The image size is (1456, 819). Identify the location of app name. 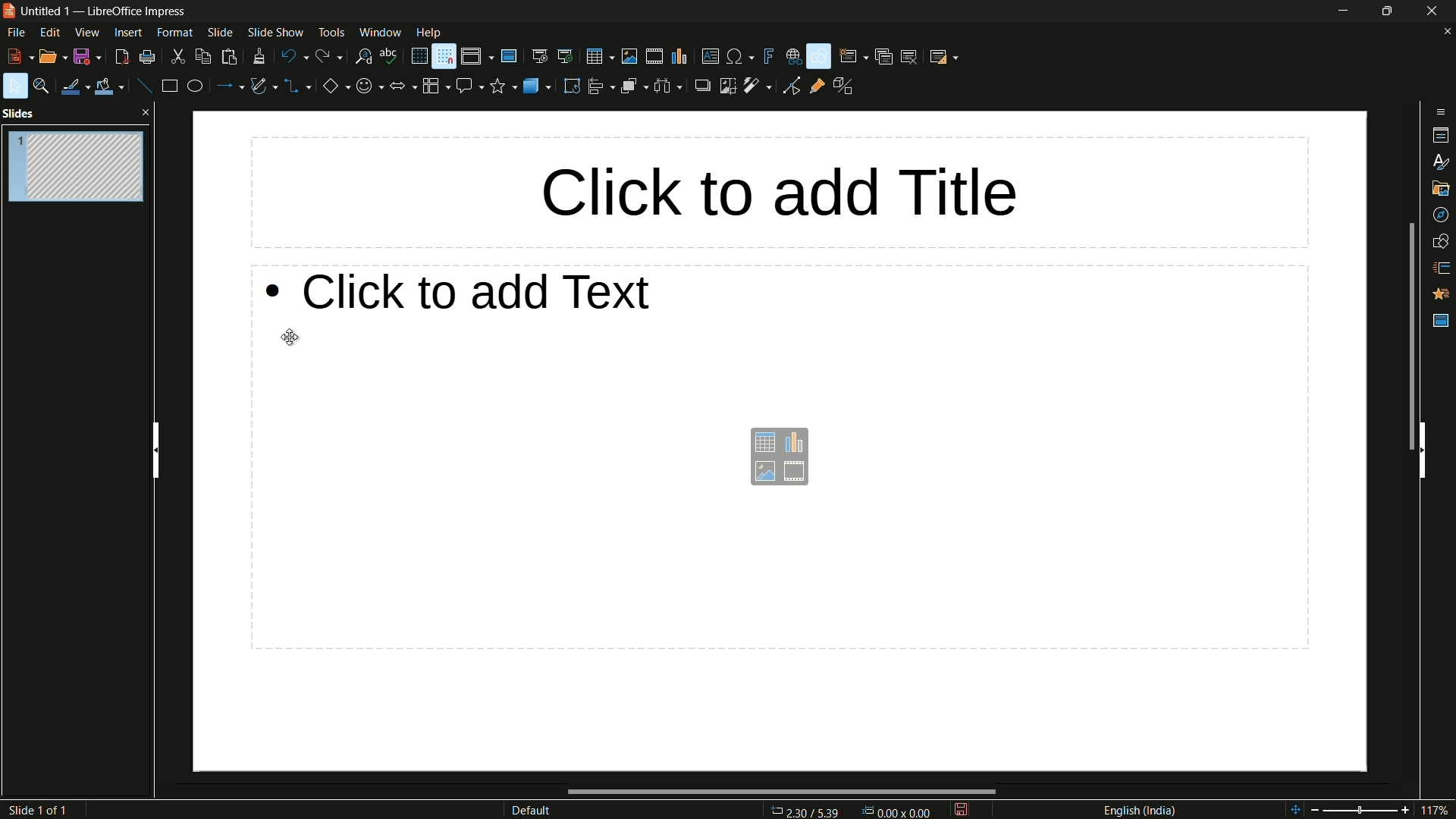
(137, 10).